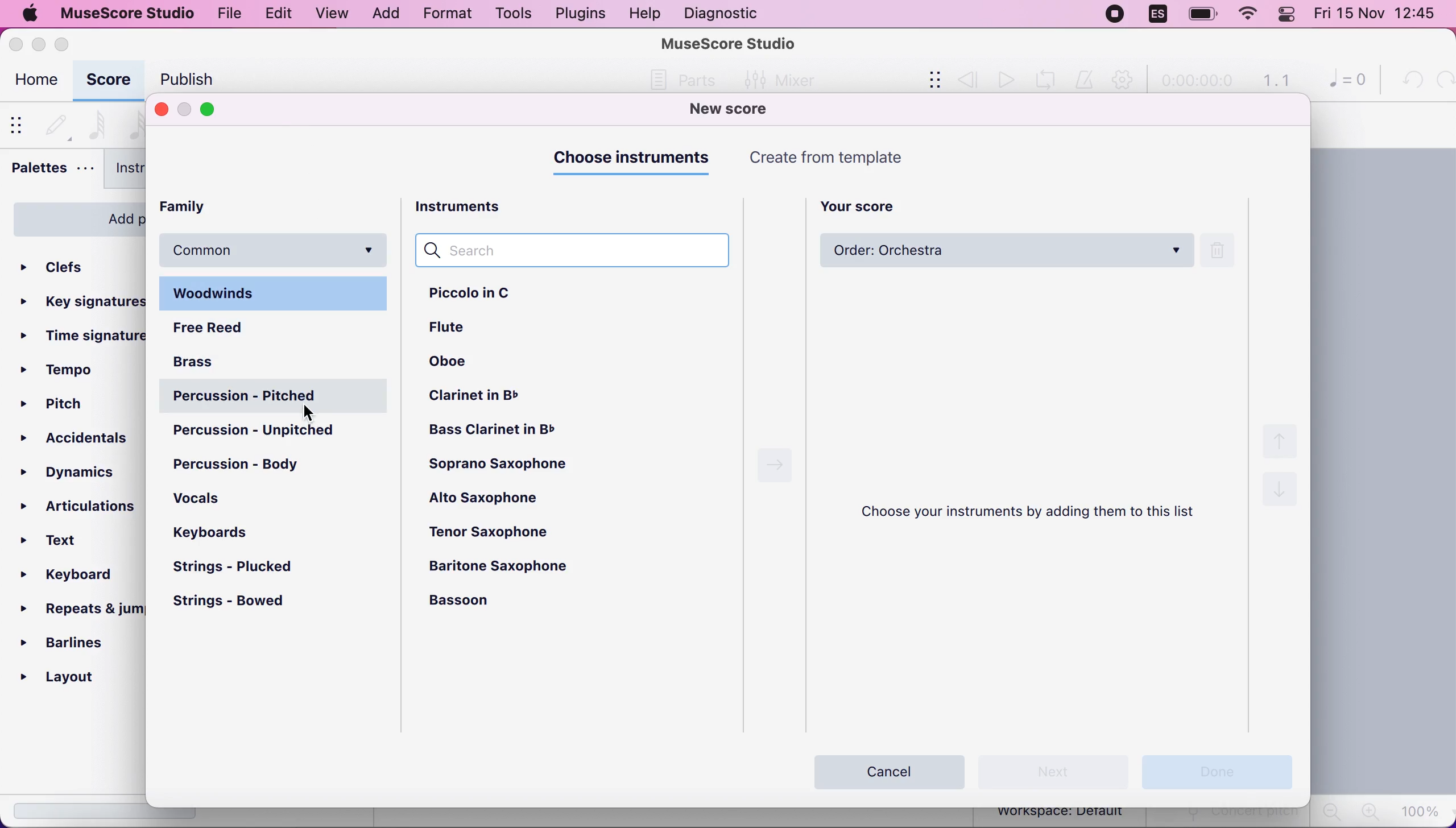 This screenshot has height=828, width=1456. Describe the element at coordinates (237, 329) in the screenshot. I see `free reed` at that location.